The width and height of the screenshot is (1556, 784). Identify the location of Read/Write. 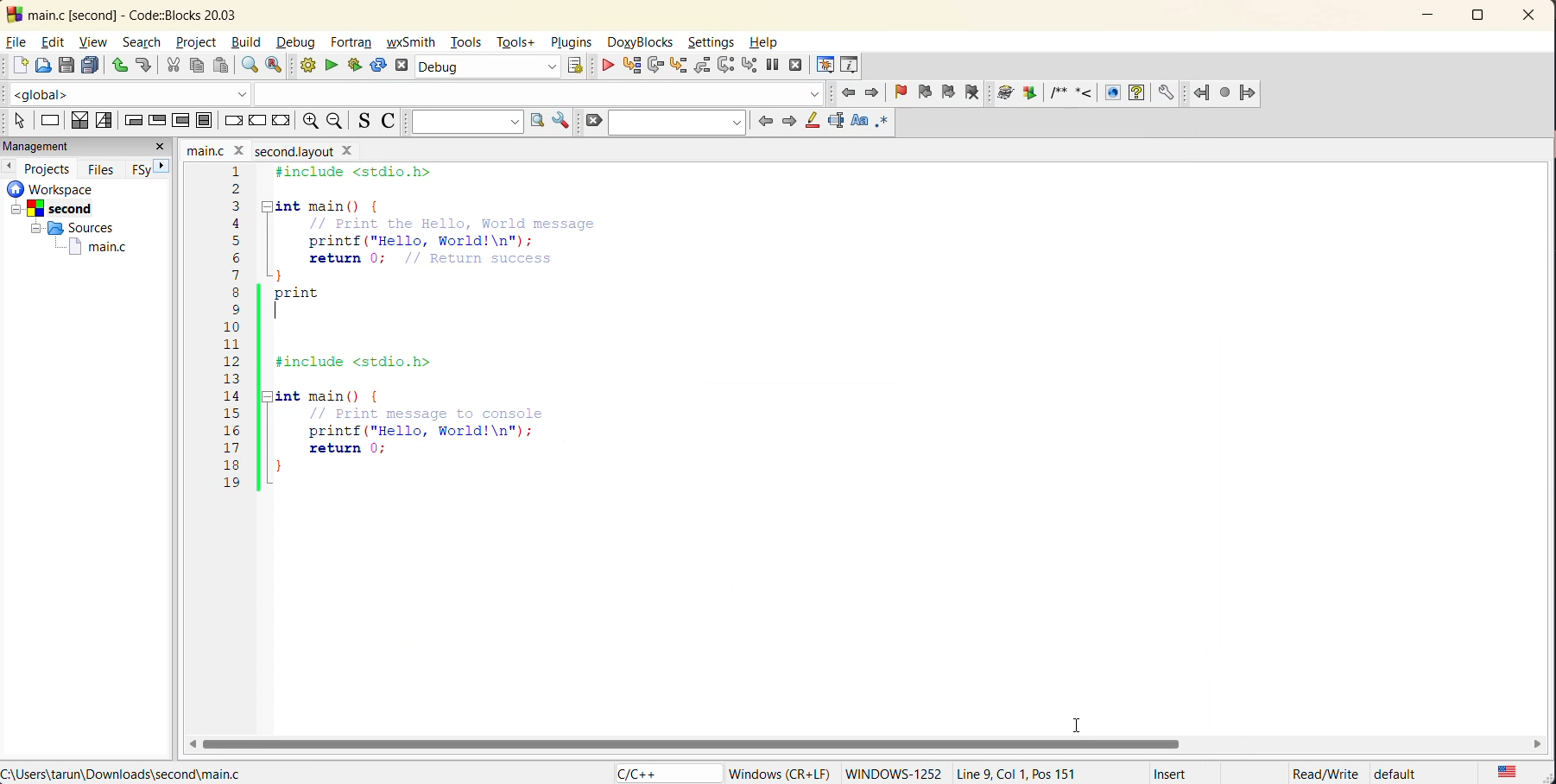
(1325, 773).